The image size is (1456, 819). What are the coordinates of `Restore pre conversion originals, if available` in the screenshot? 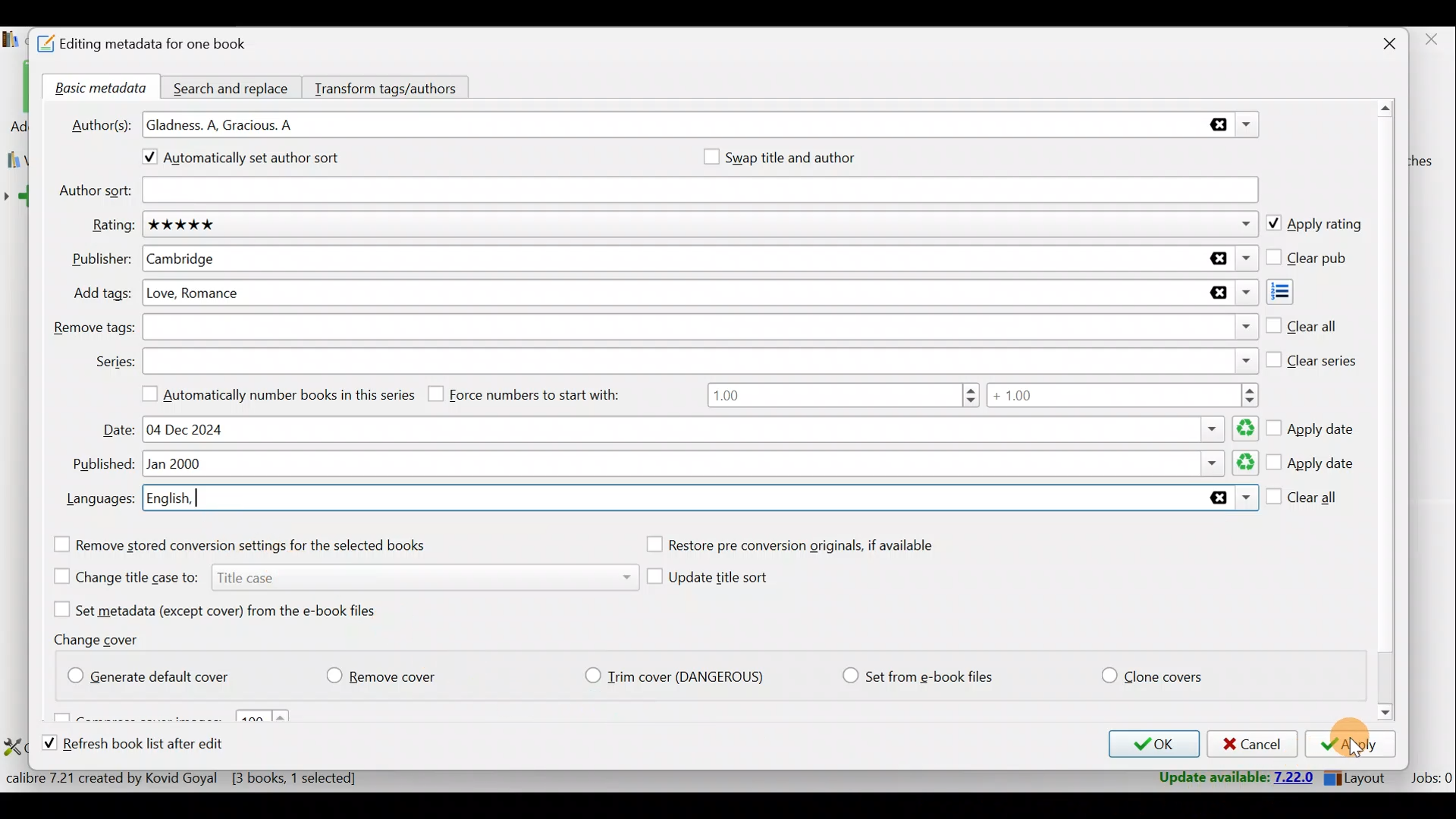 It's located at (806, 545).